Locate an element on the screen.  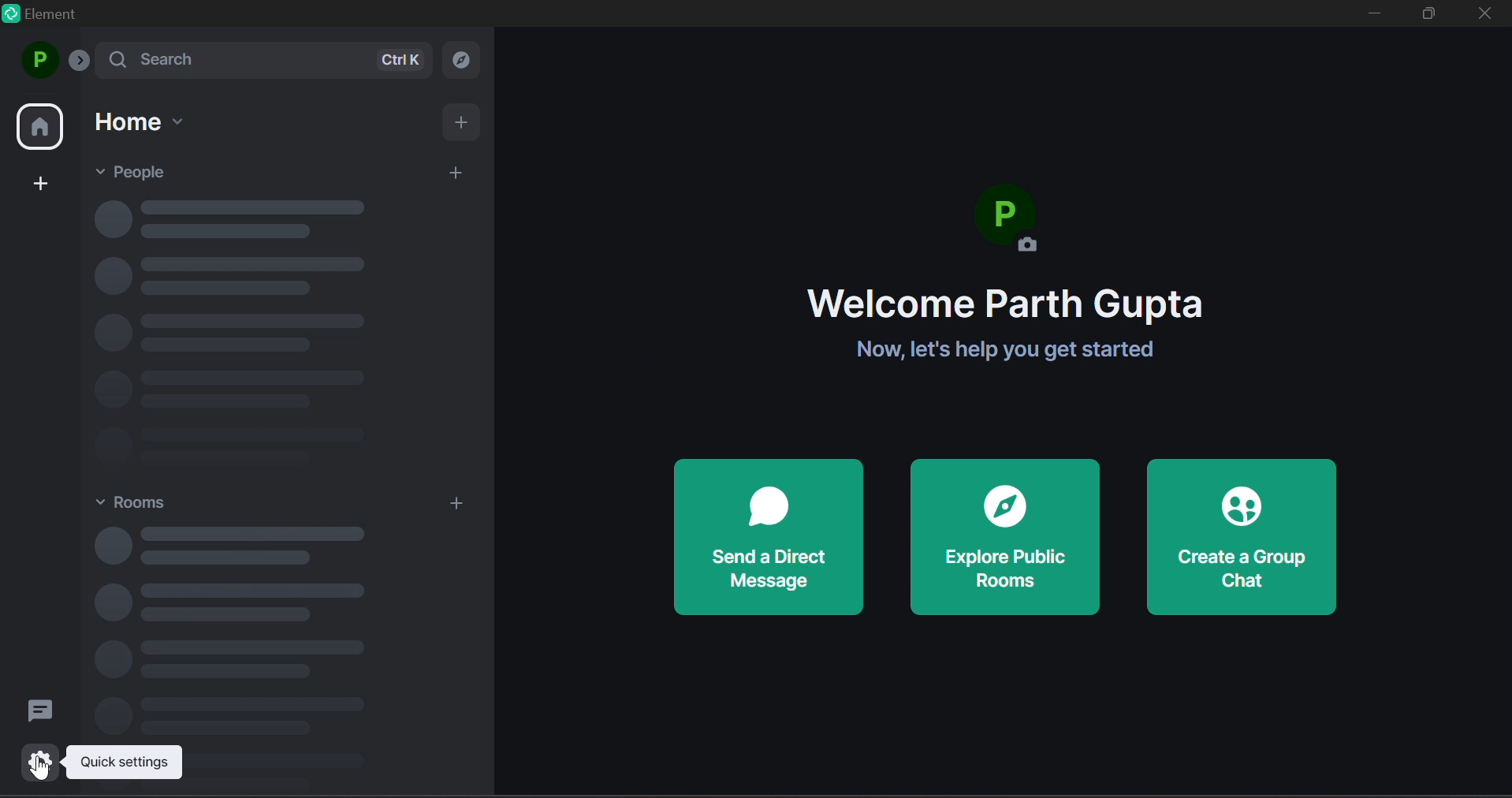
home is located at coordinates (140, 122).